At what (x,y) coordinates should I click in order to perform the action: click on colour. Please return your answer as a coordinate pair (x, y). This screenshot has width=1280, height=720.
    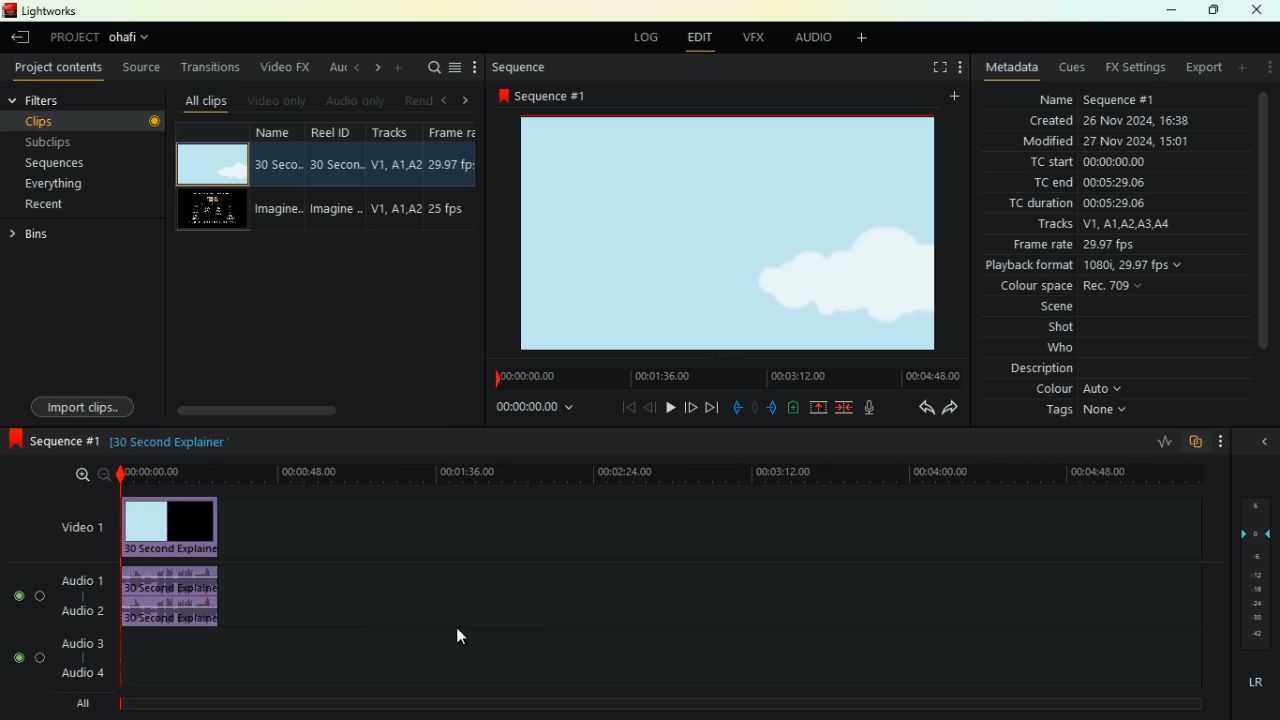
    Looking at the image, I should click on (1079, 391).